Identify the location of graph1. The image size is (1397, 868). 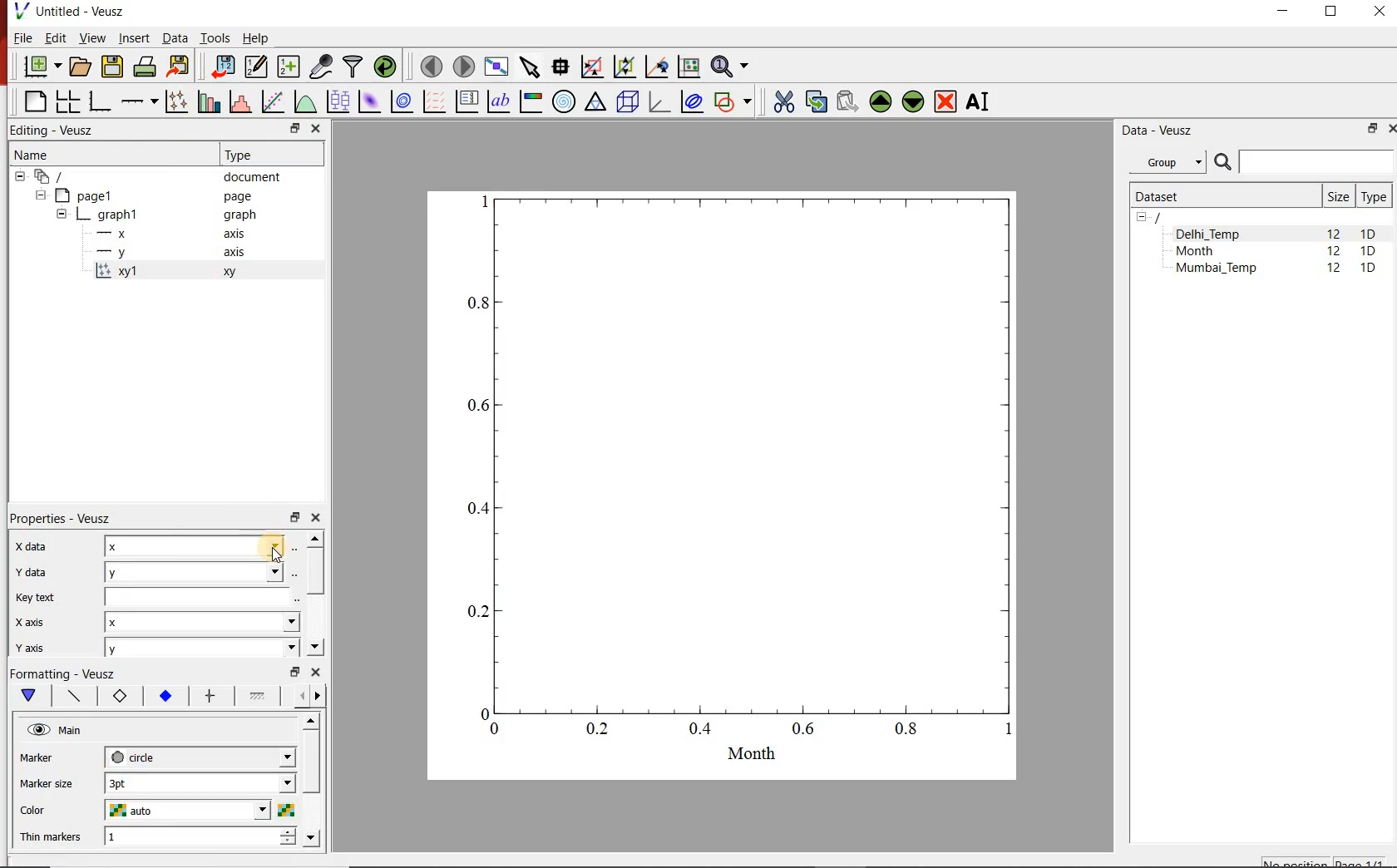
(158, 215).